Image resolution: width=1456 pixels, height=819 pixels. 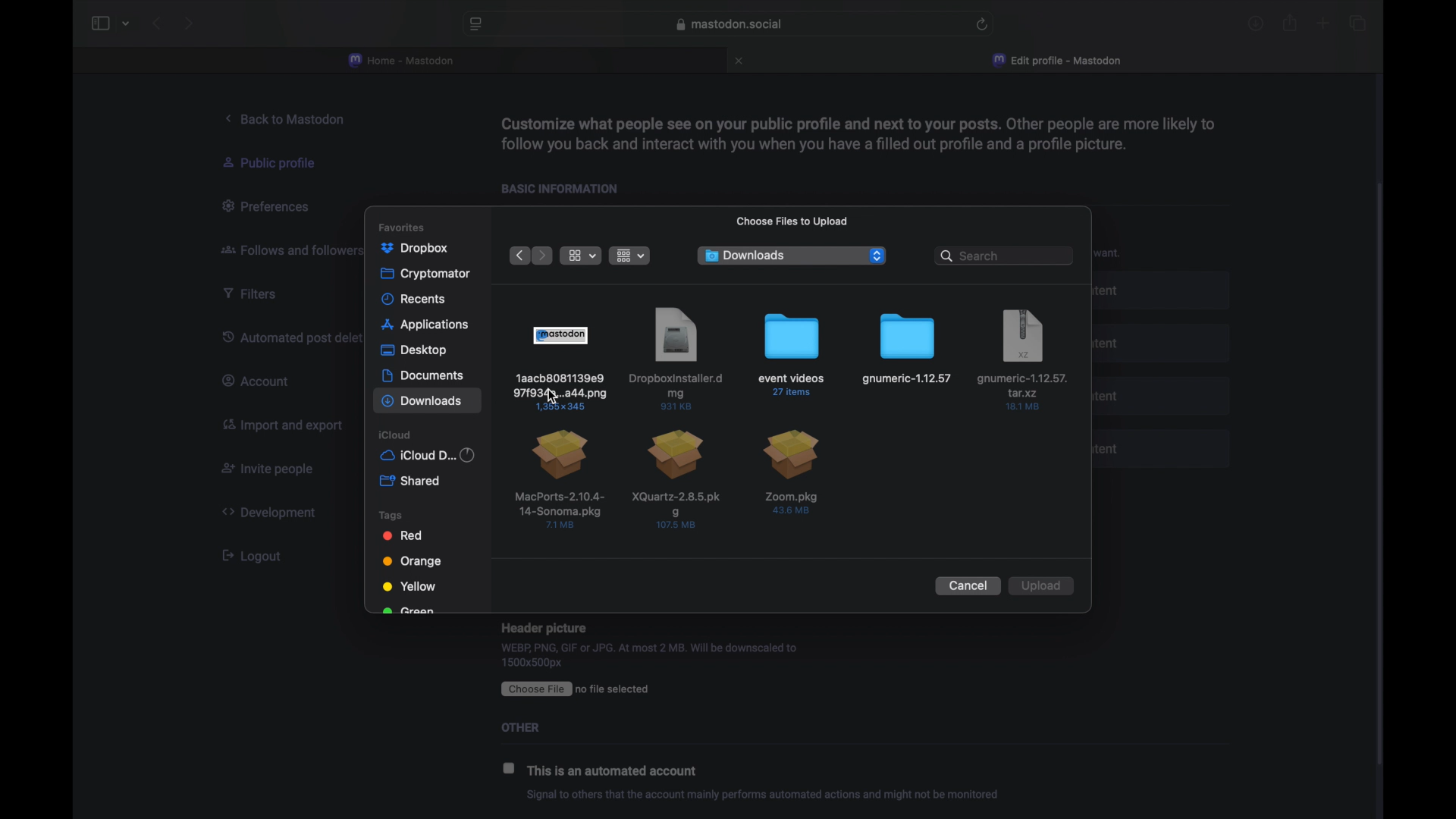 I want to click on documents, so click(x=422, y=375).